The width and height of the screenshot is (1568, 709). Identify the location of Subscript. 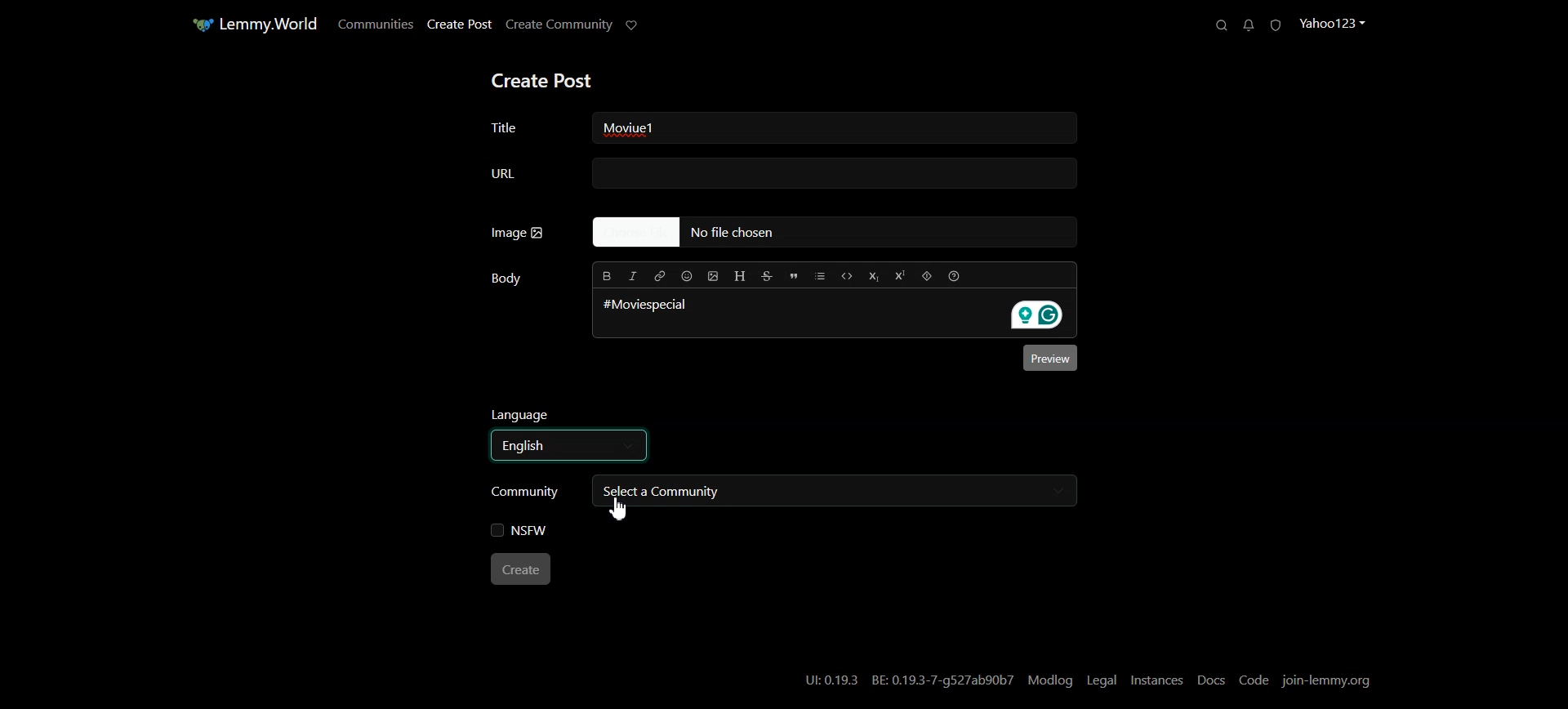
(875, 276).